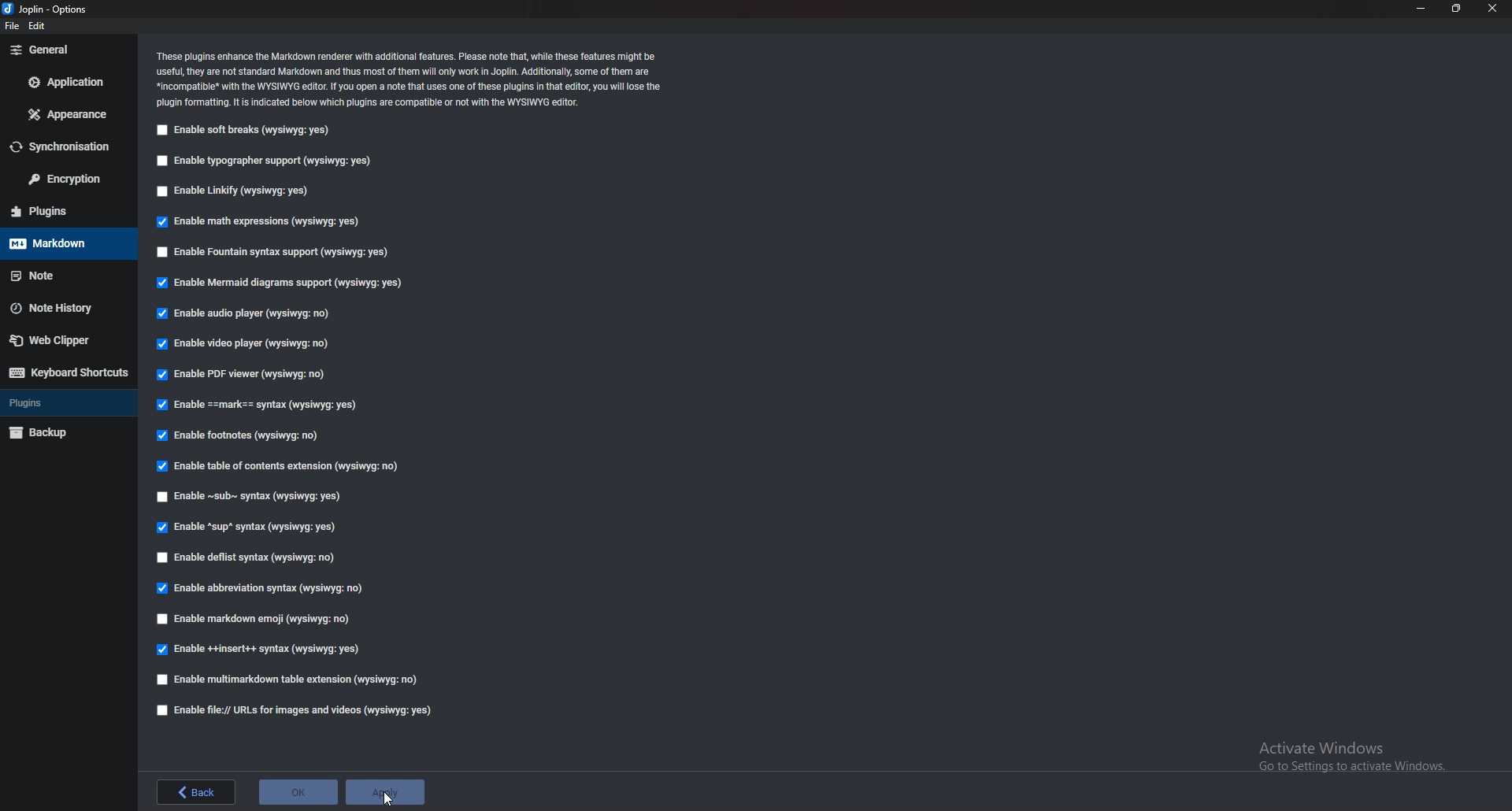  Describe the element at coordinates (67, 432) in the screenshot. I see `Back up` at that location.